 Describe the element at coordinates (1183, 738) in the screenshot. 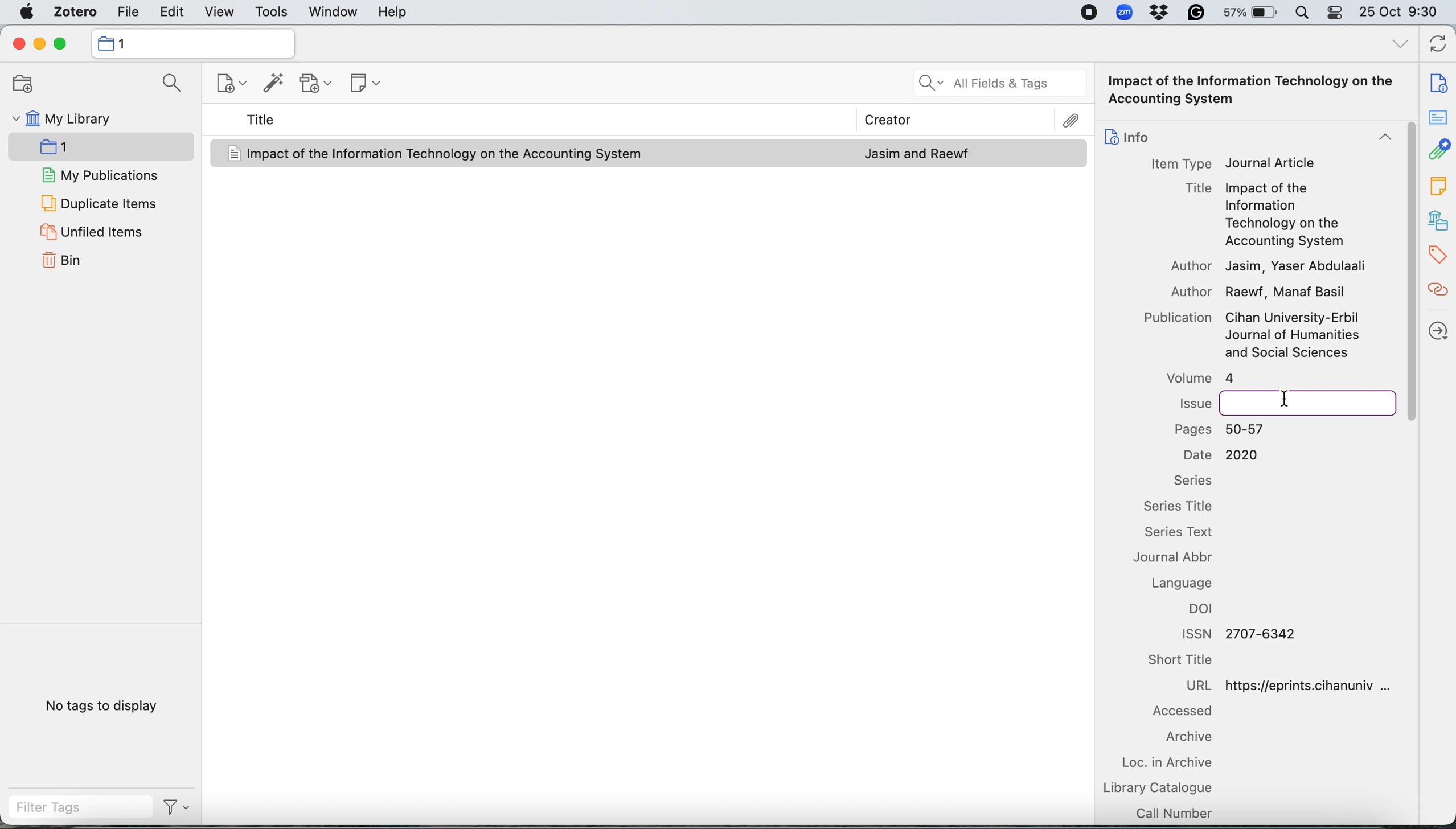

I see `archive` at that location.